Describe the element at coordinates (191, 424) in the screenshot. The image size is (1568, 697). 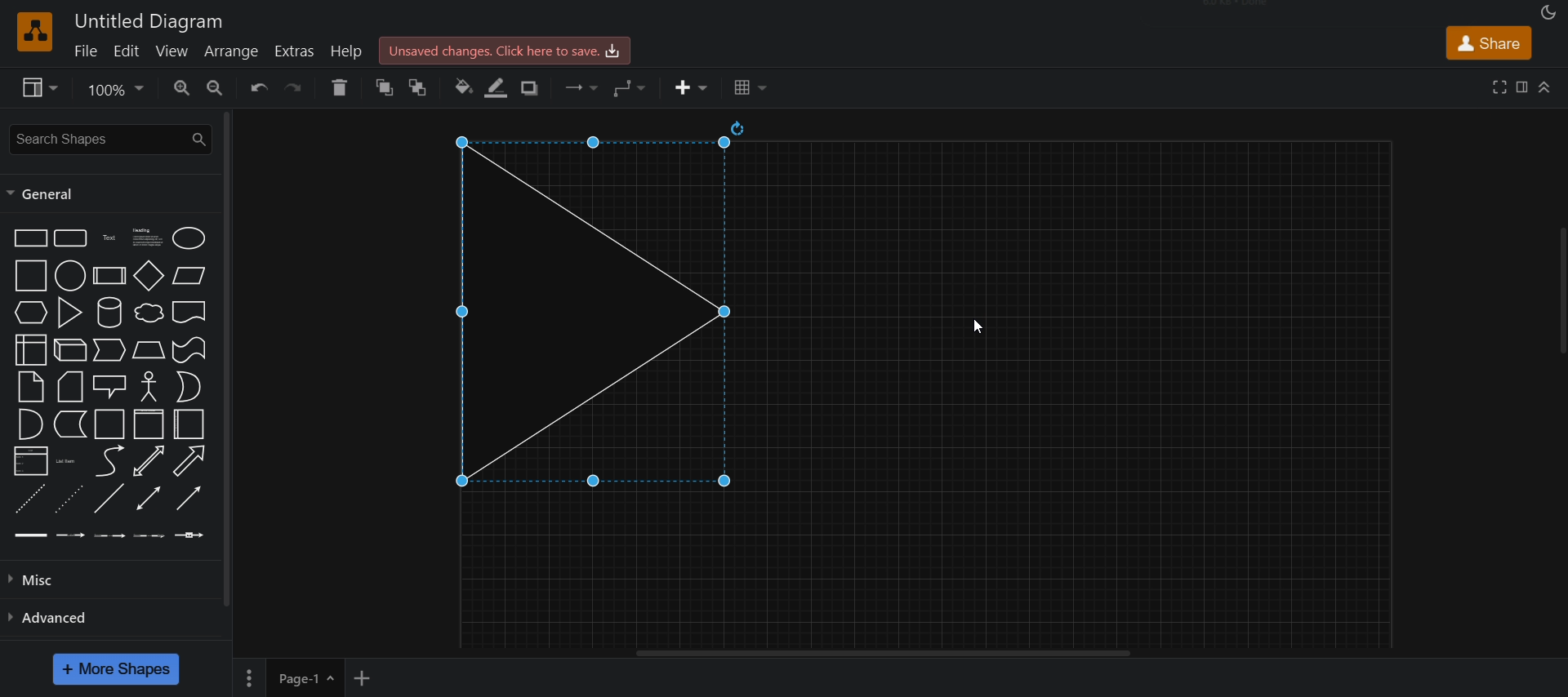
I see `container` at that location.